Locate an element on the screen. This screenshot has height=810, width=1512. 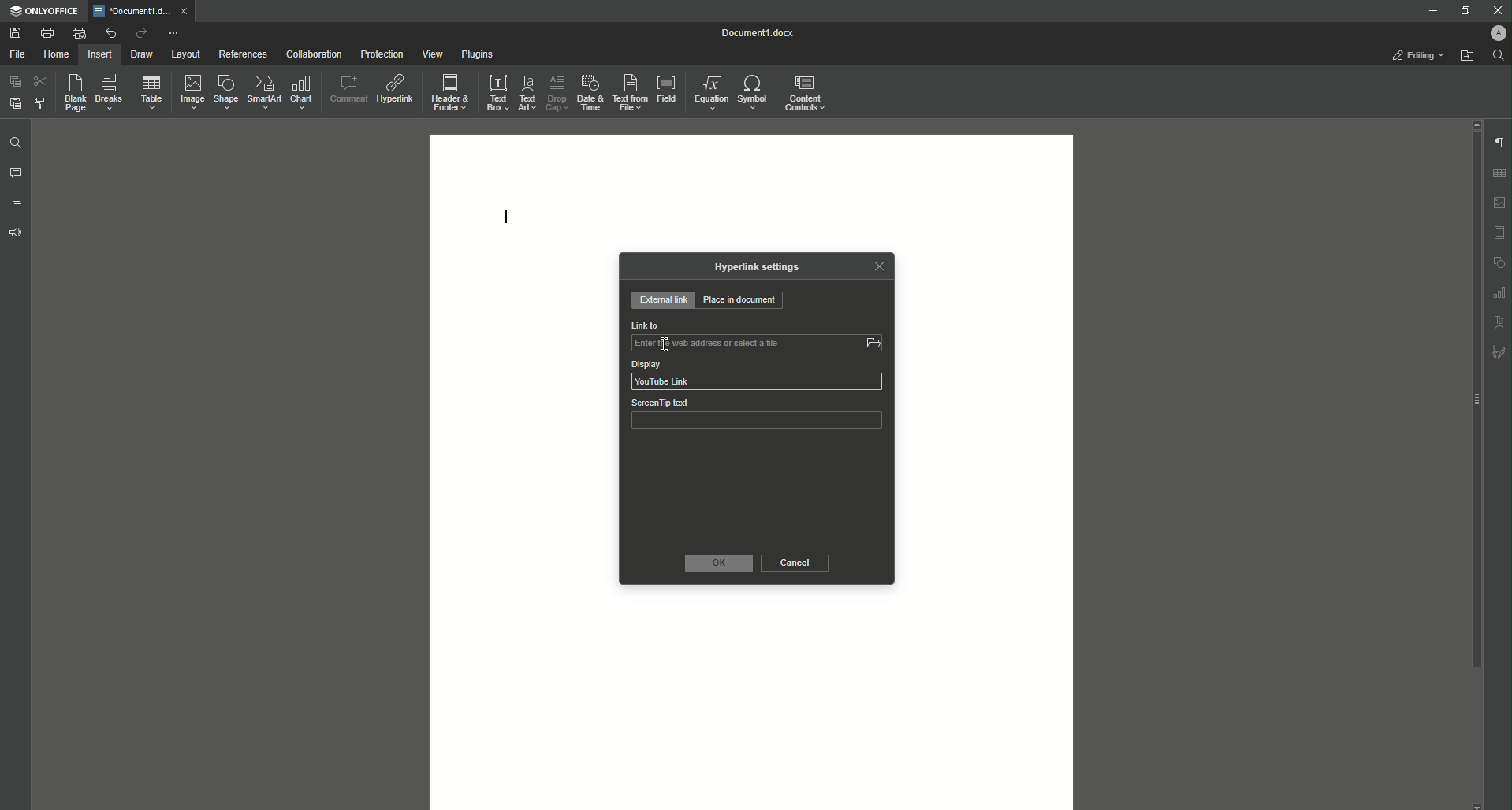
Header and Footer is located at coordinates (450, 92).